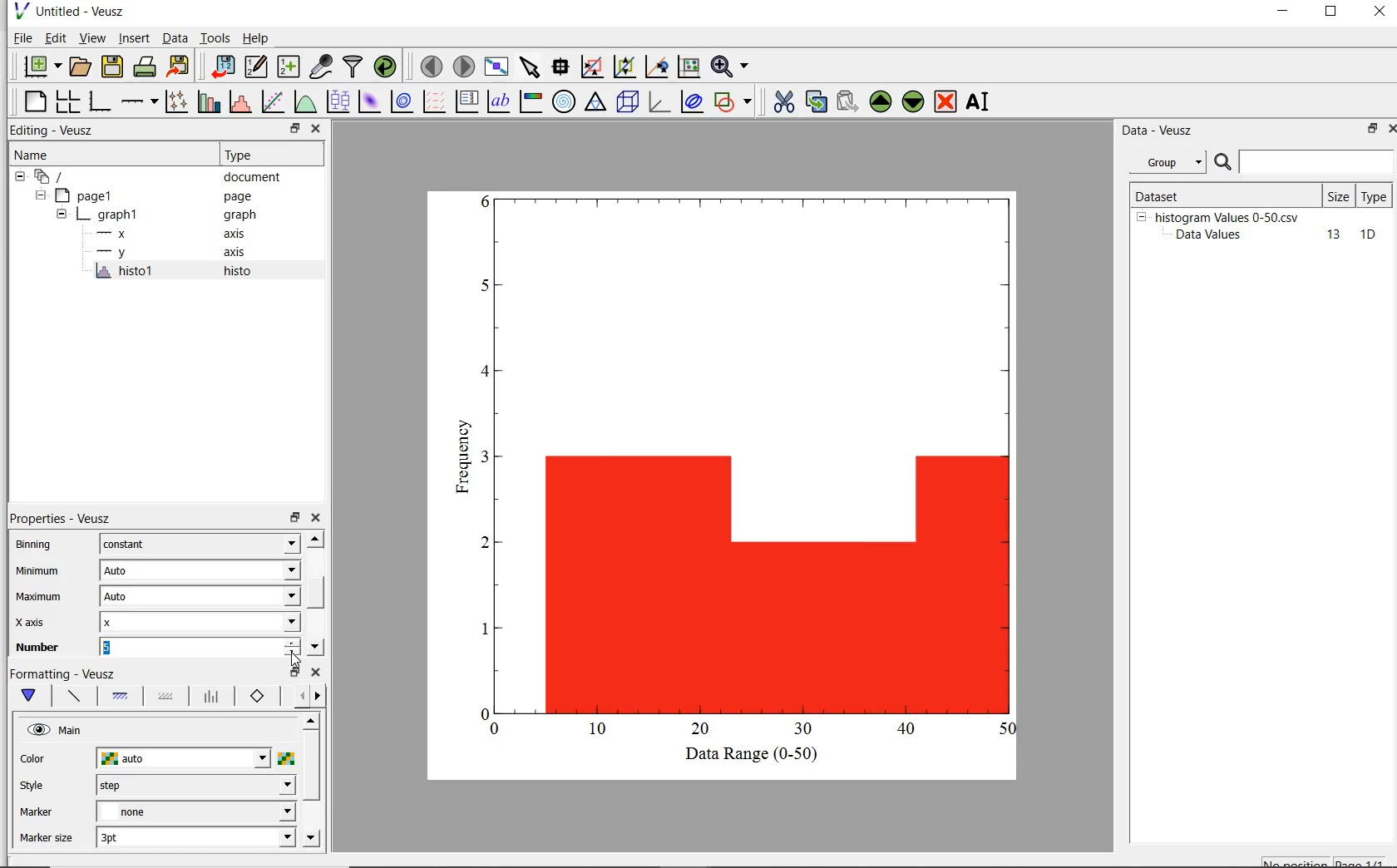  I want to click on reload linked datasets, so click(388, 67).